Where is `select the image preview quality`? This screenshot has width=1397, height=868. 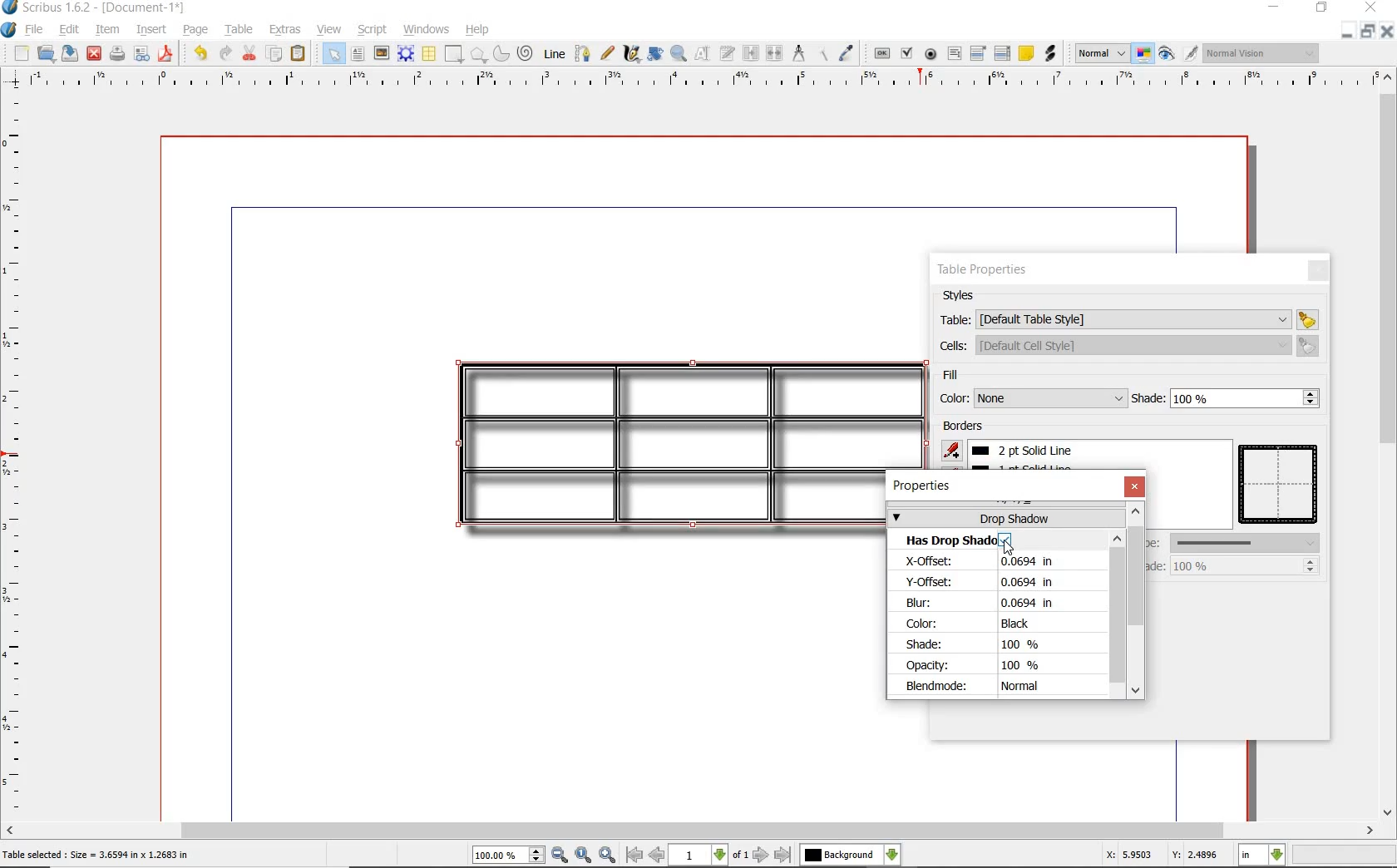 select the image preview quality is located at coordinates (1097, 53).